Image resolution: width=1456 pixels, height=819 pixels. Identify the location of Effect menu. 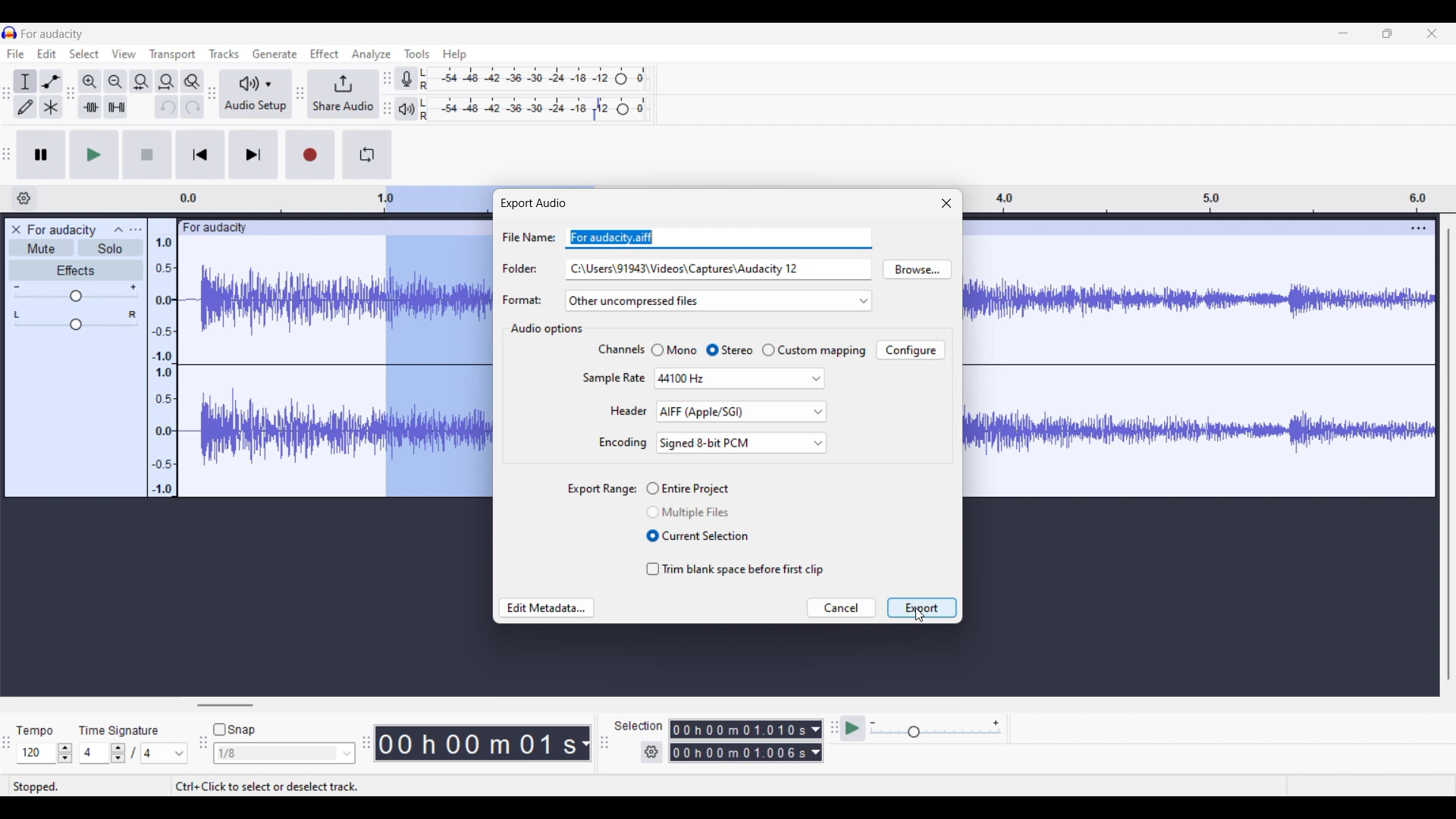
(324, 54).